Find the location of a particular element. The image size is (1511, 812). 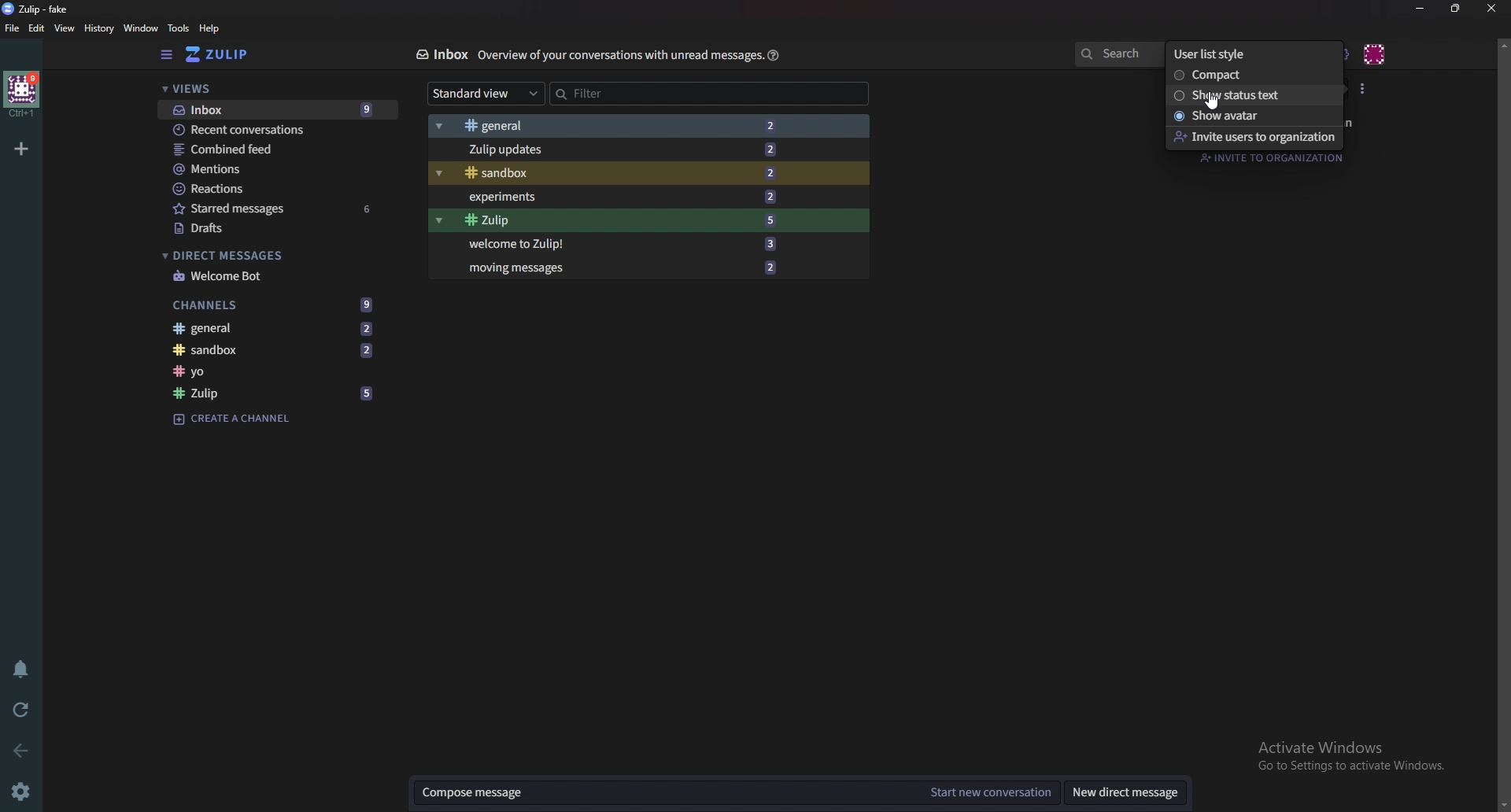

Invite users to organization is located at coordinates (1258, 138).